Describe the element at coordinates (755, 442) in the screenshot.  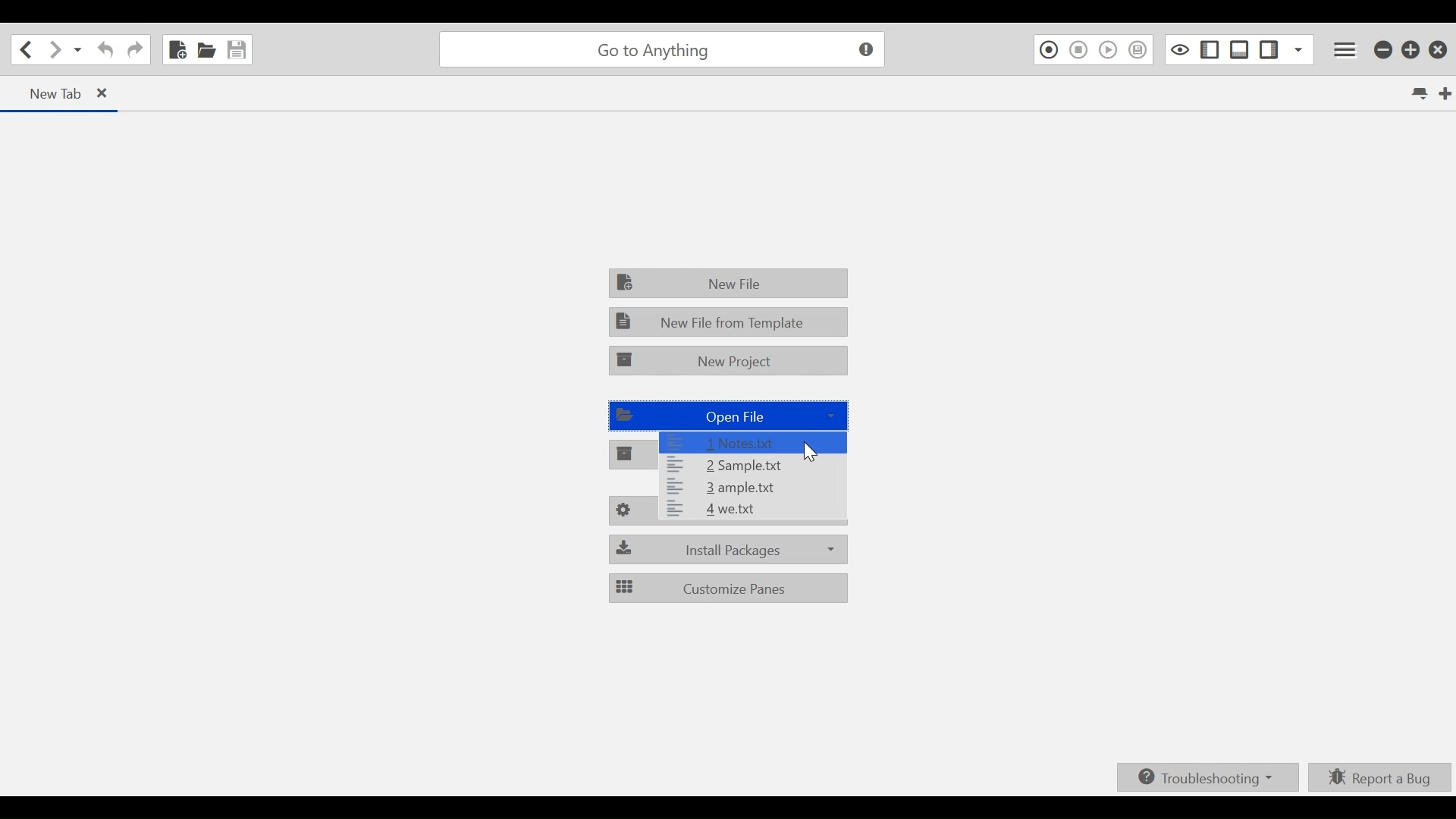
I see `1 Notes.txt` at that location.